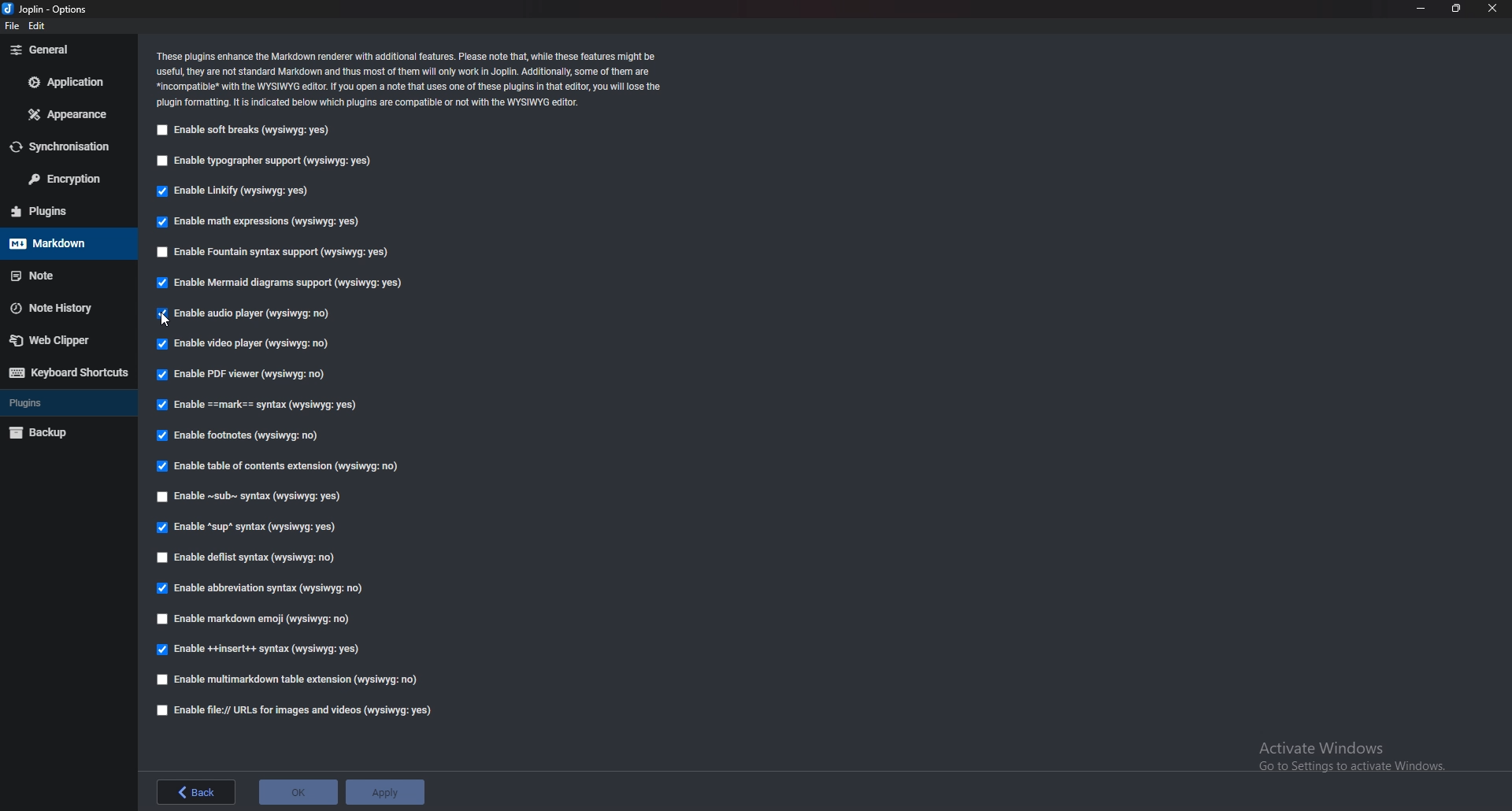 Image resolution: width=1512 pixels, height=811 pixels. What do you see at coordinates (39, 25) in the screenshot?
I see `edit` at bounding box center [39, 25].